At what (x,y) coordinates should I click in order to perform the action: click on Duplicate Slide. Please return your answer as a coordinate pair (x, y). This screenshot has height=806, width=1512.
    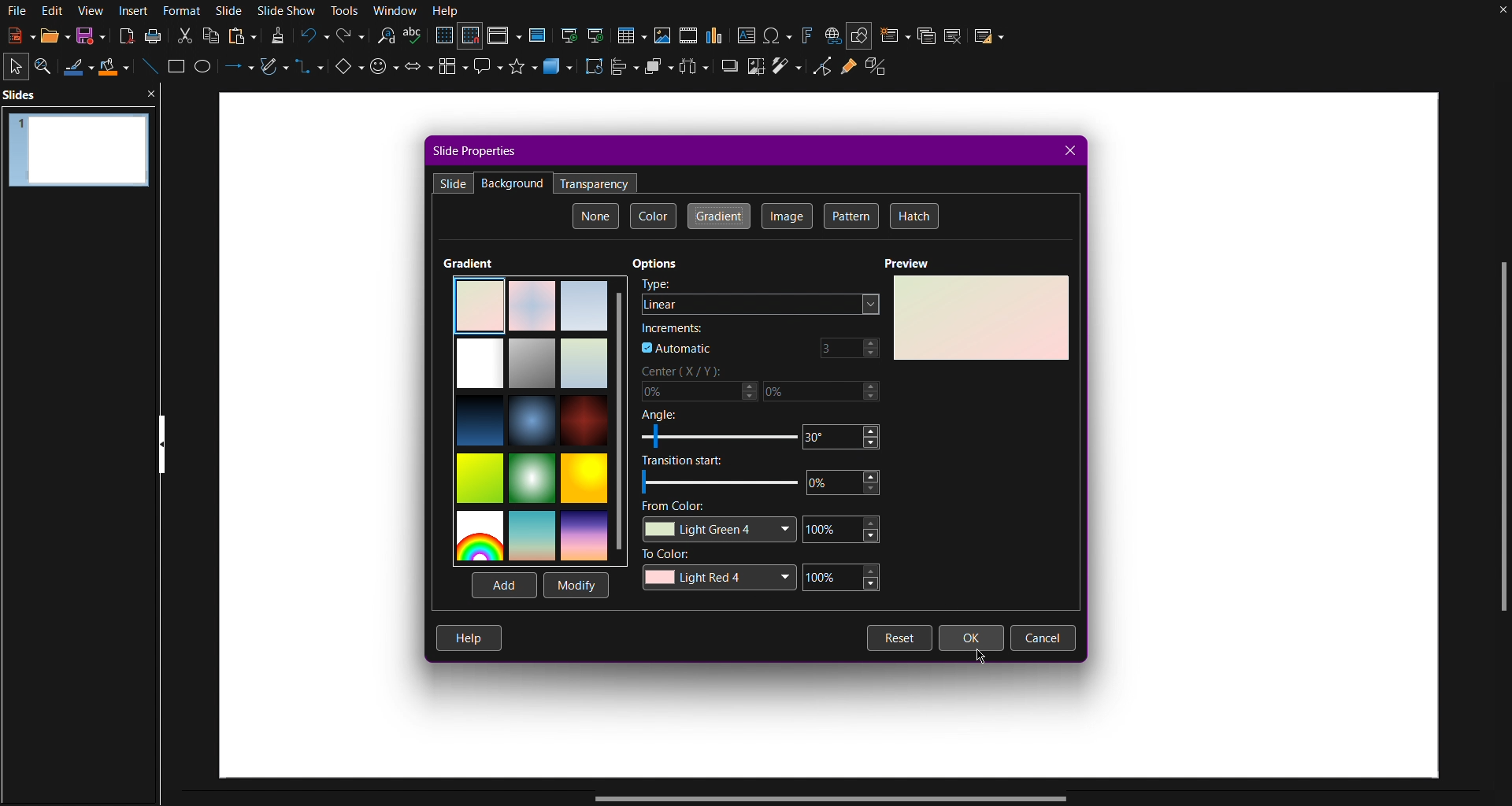
    Looking at the image, I should click on (926, 35).